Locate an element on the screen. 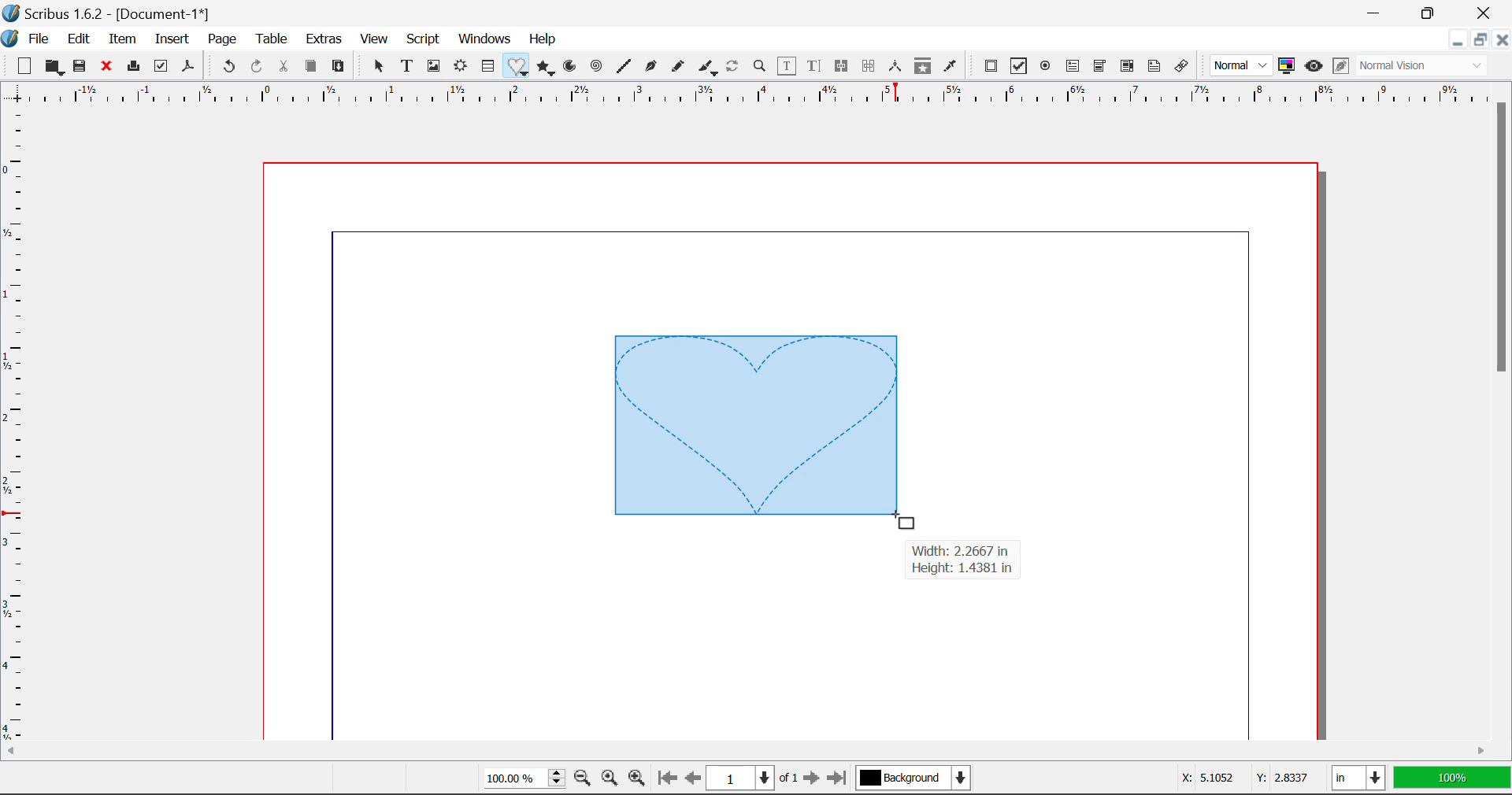 The image size is (1512, 795). Heart-shaped Image is located at coordinates (753, 424).